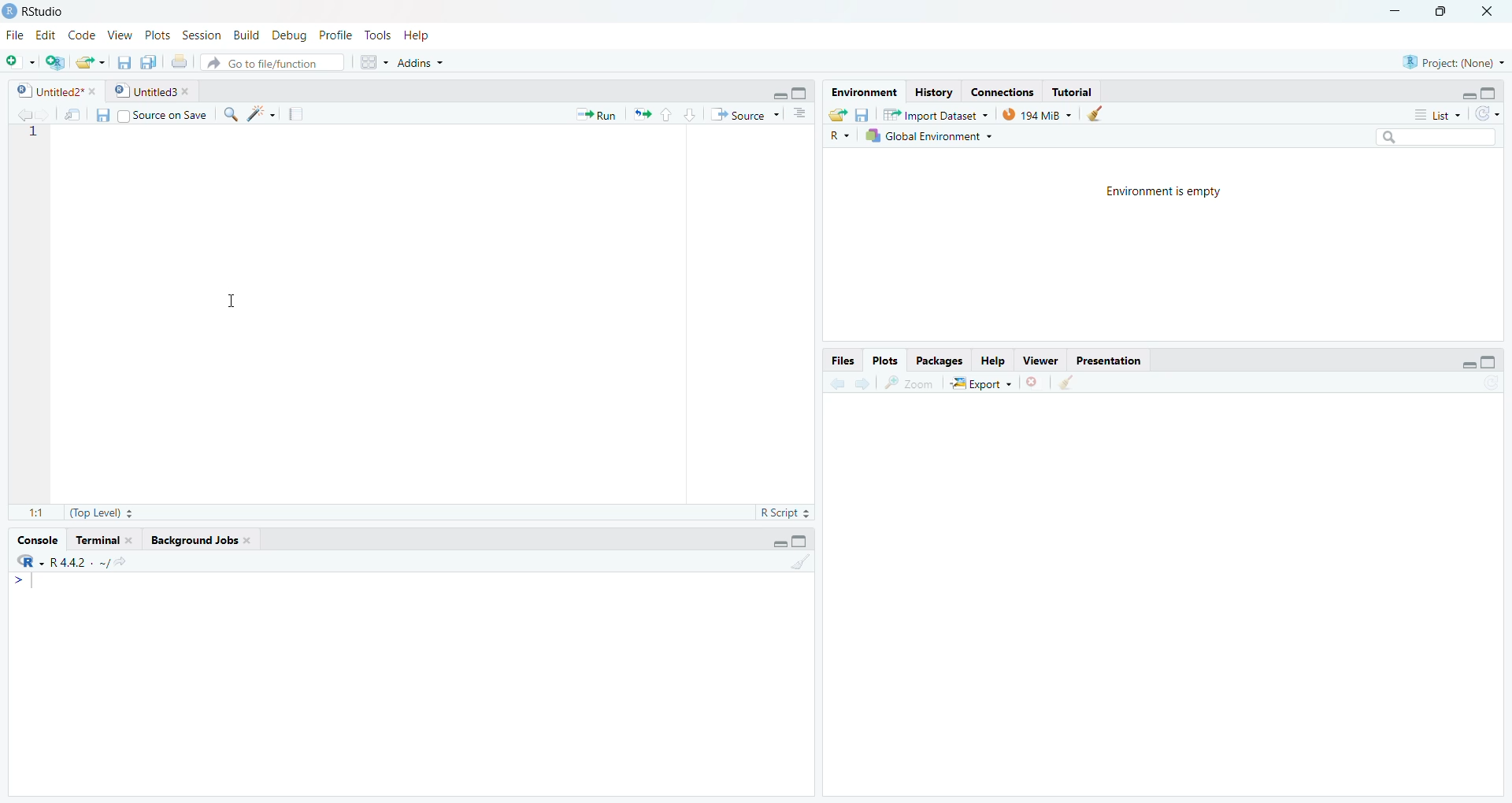 The image size is (1512, 803). I want to click on workspace panes, so click(376, 61).